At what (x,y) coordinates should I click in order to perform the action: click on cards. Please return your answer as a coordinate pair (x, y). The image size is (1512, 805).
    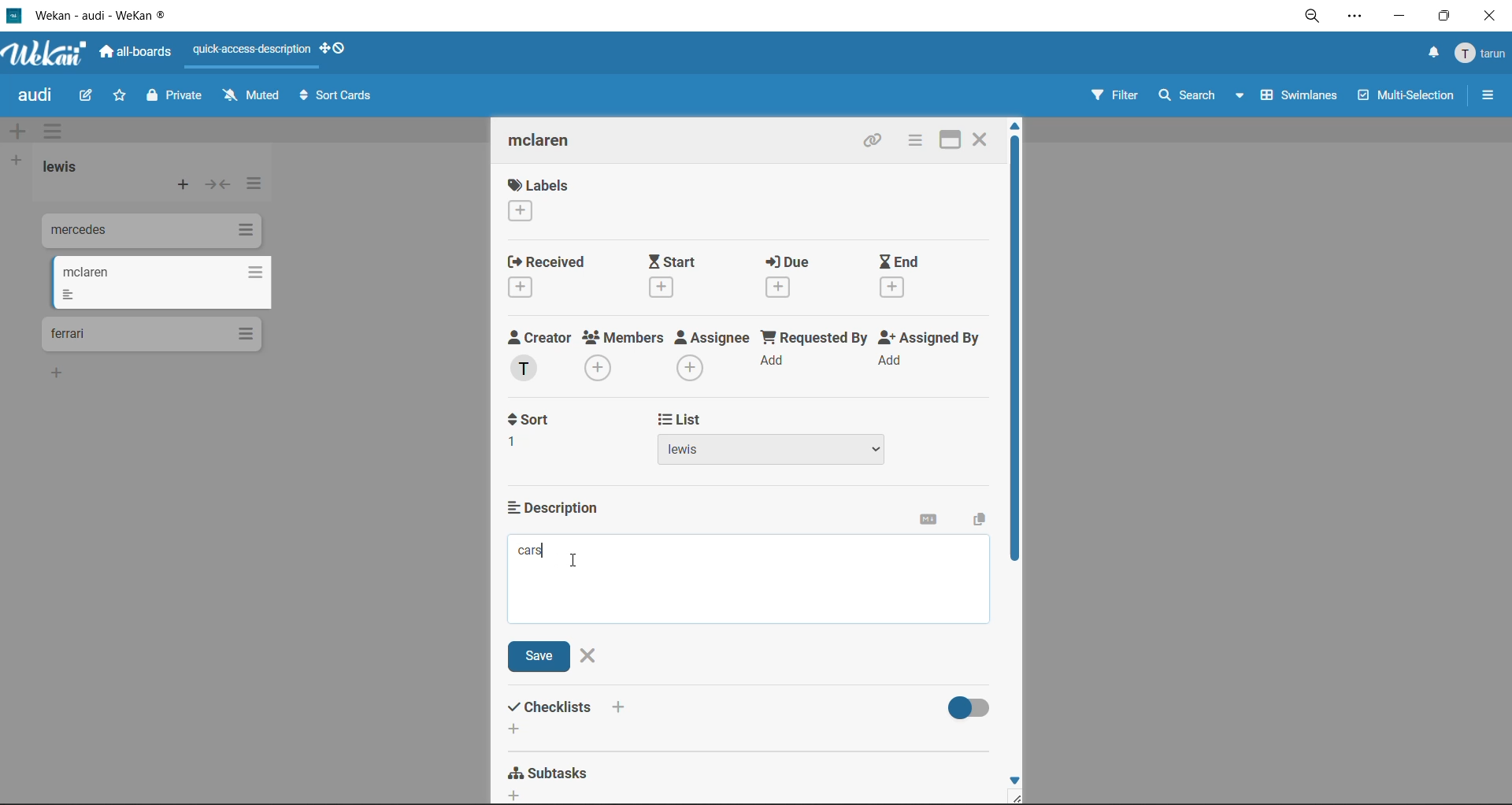
    Looking at the image, I should click on (149, 233).